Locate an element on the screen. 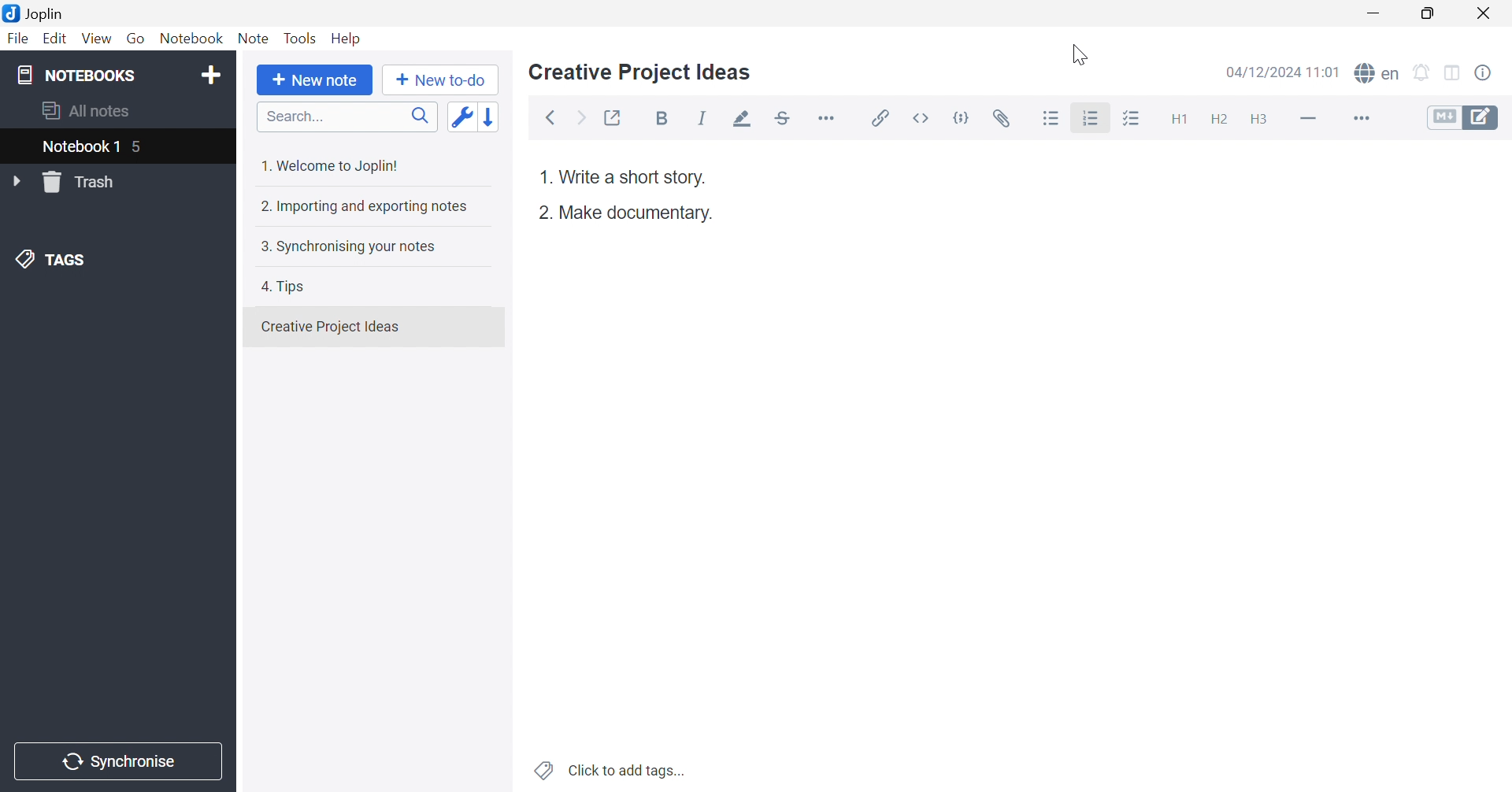 This screenshot has width=1512, height=792. Notebook is located at coordinates (195, 41).